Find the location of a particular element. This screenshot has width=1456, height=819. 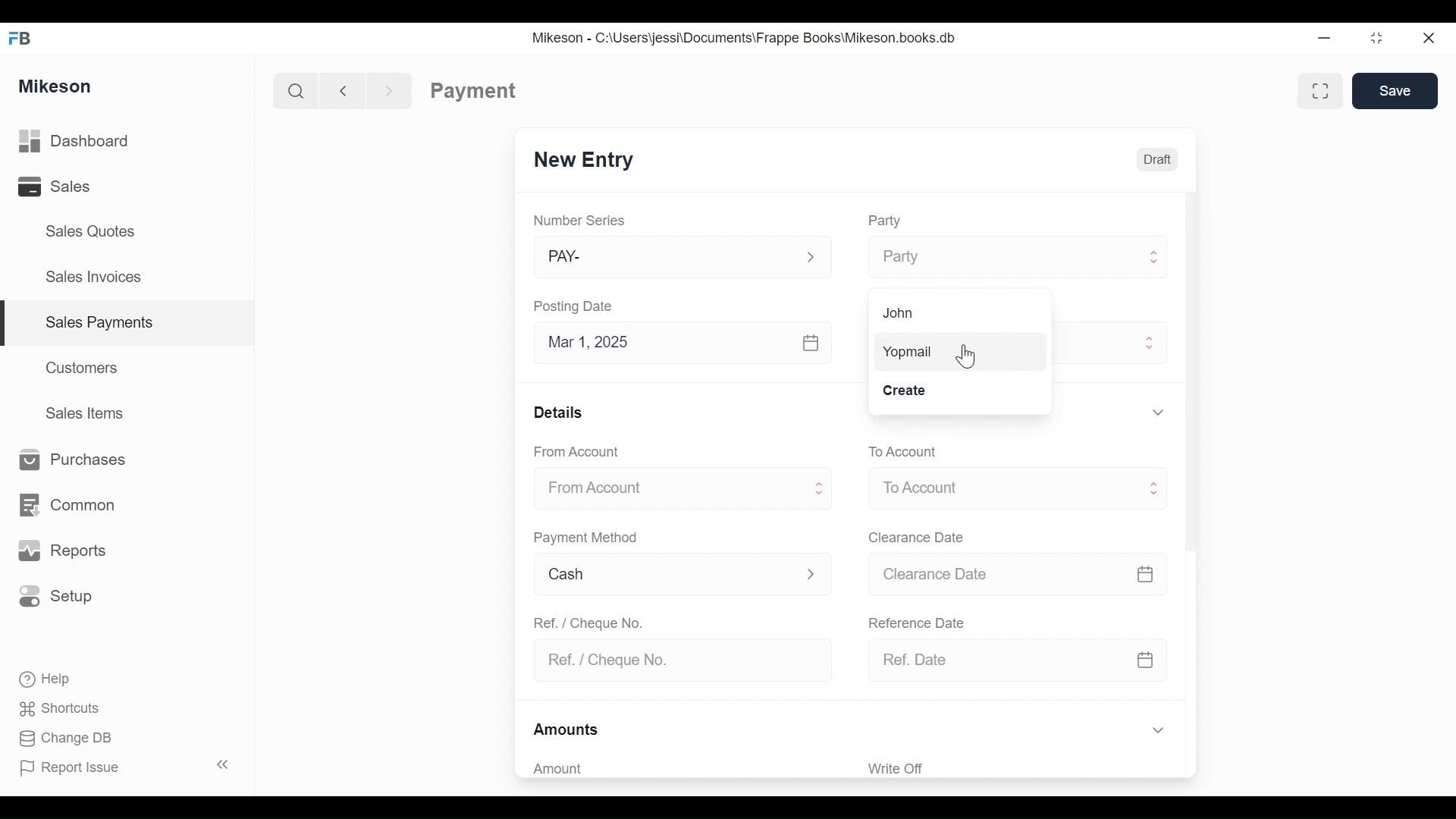

To account is located at coordinates (915, 450).